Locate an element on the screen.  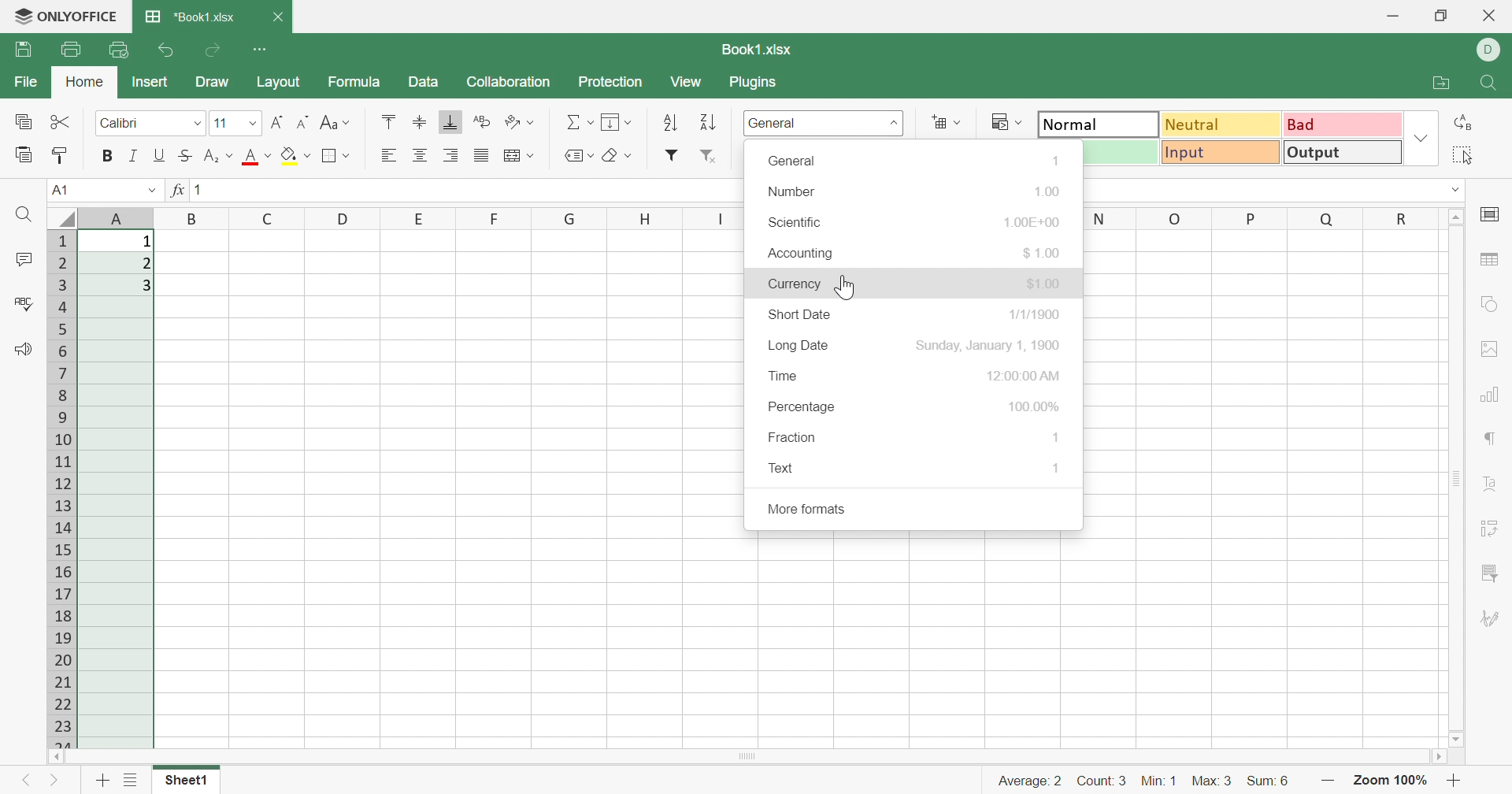
Sort descending is located at coordinates (707, 124).